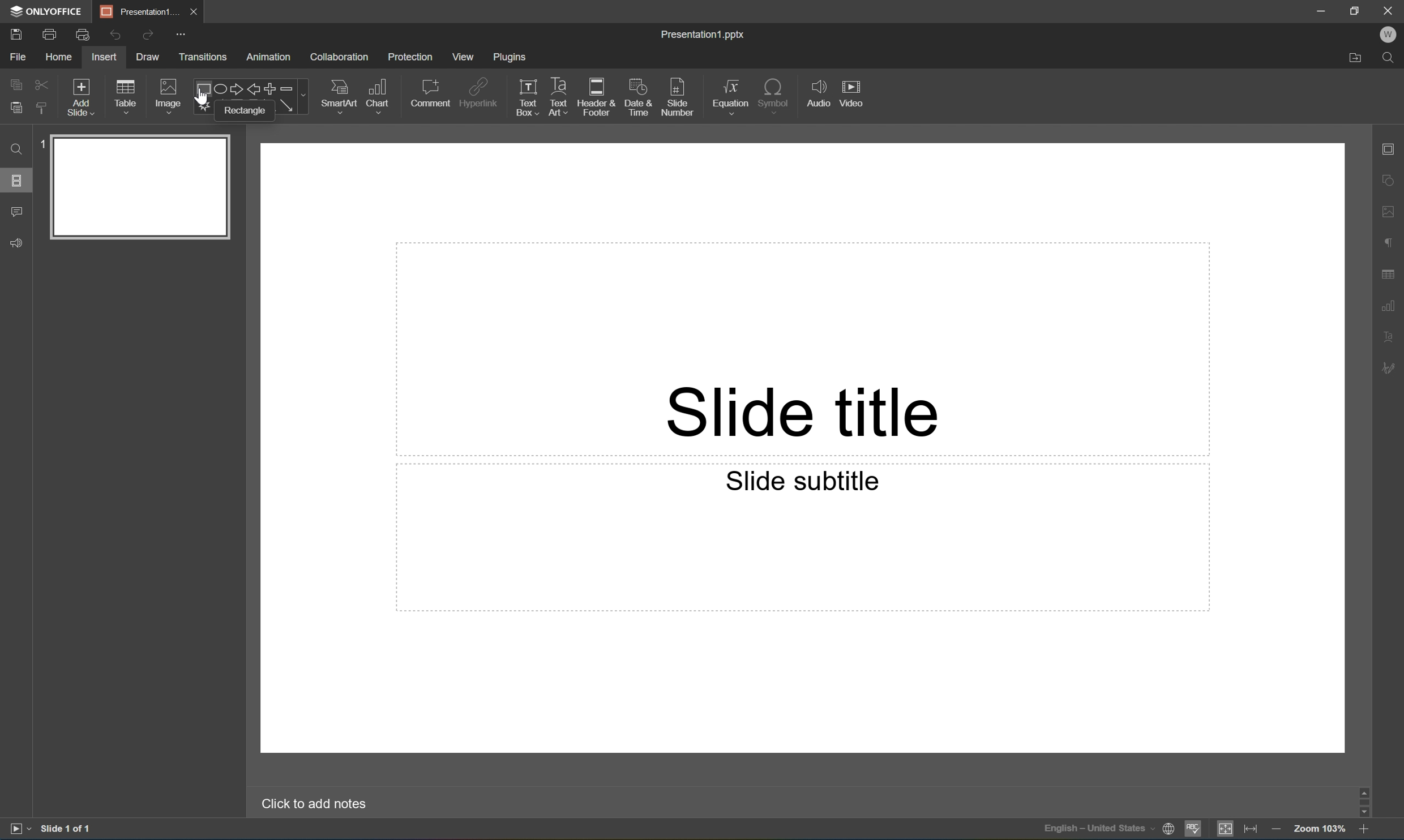 This screenshot has width=1404, height=840. What do you see at coordinates (60, 57) in the screenshot?
I see `Home` at bounding box center [60, 57].